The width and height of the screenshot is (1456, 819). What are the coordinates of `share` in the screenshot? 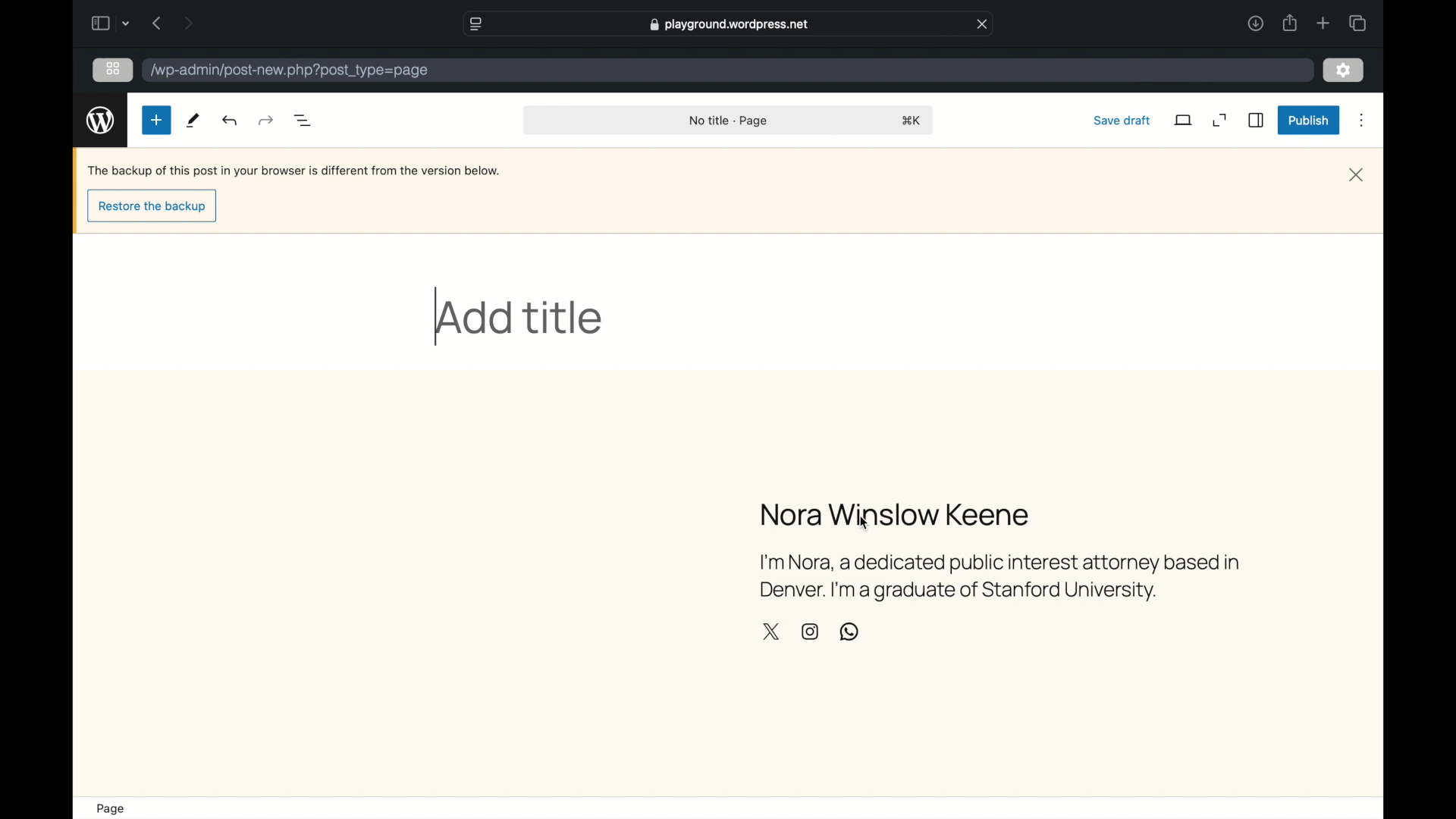 It's located at (1289, 23).